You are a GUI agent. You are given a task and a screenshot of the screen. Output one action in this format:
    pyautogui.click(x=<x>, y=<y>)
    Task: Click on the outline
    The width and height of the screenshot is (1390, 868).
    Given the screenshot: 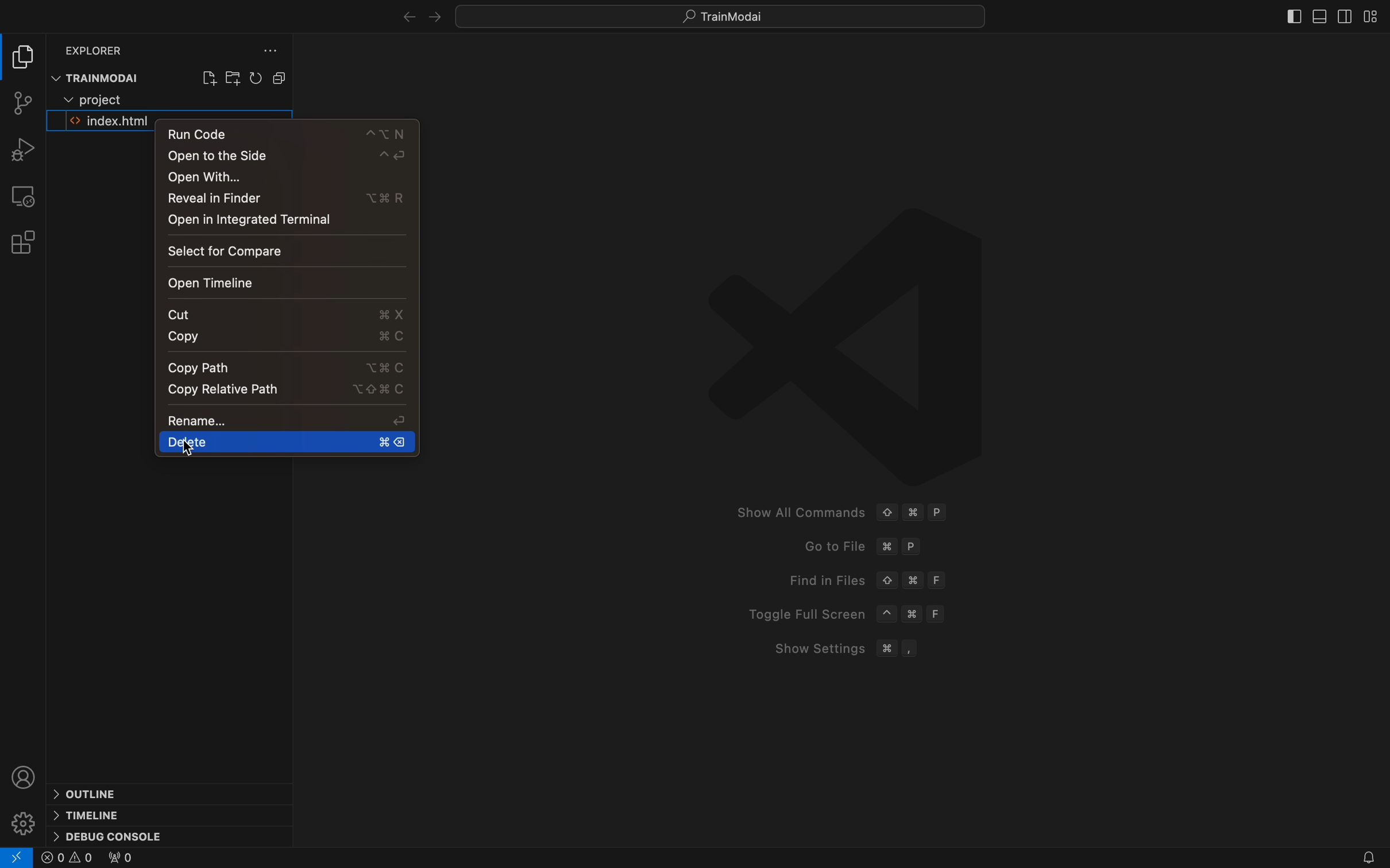 What is the action you would take?
    pyautogui.click(x=95, y=793)
    